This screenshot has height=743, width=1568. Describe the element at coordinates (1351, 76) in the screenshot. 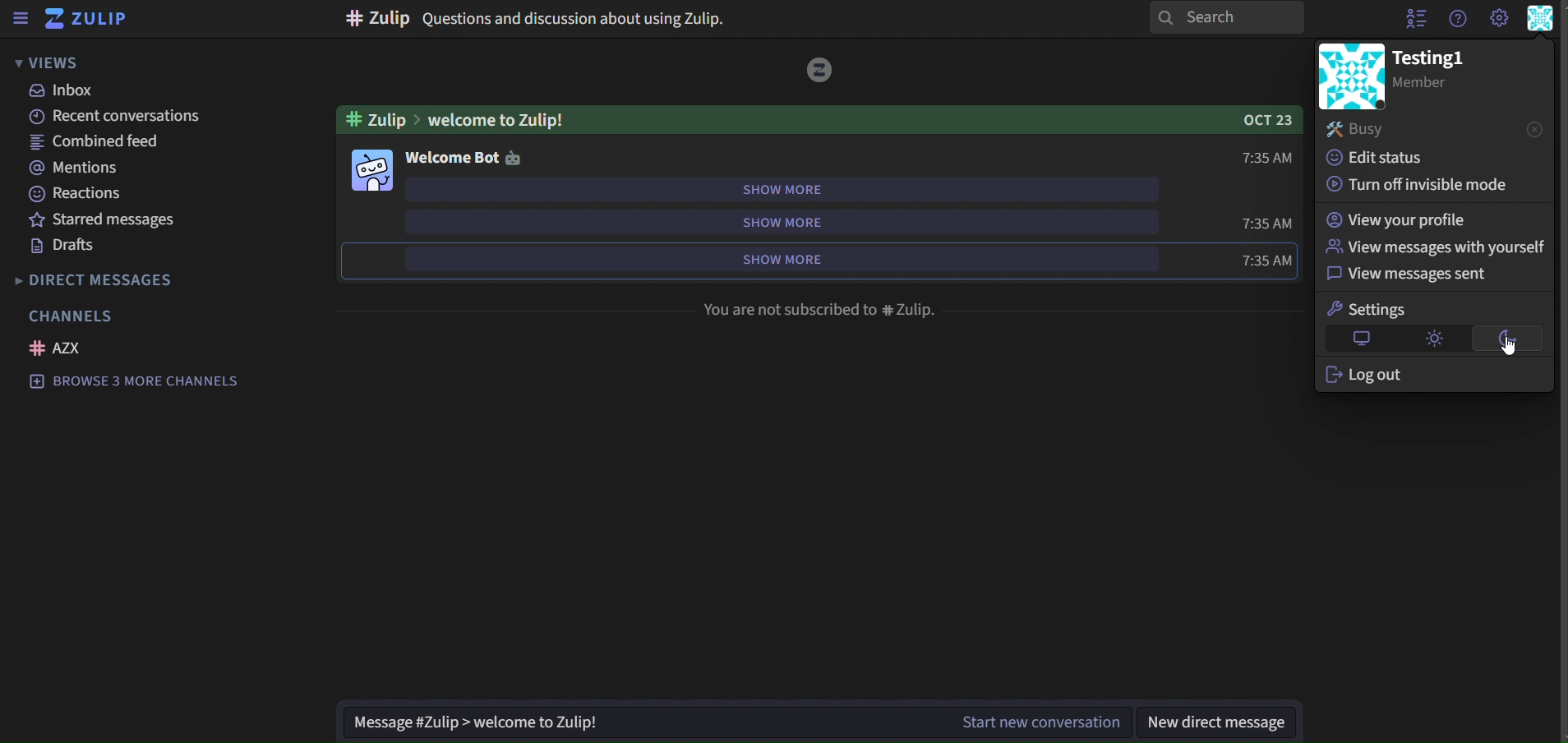

I see `image` at that location.